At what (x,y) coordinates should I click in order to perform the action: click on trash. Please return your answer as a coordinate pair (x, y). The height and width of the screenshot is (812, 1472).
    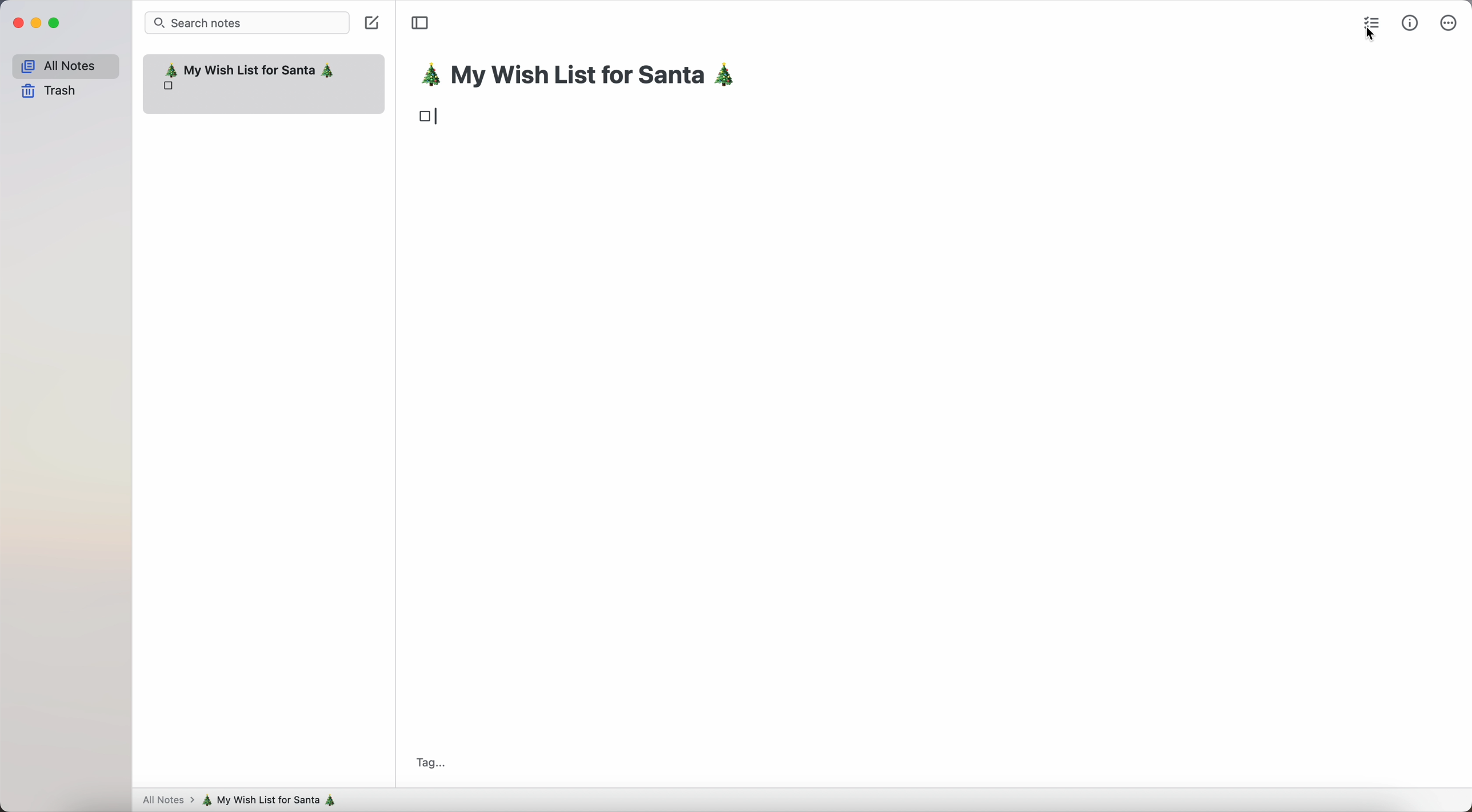
    Looking at the image, I should click on (50, 92).